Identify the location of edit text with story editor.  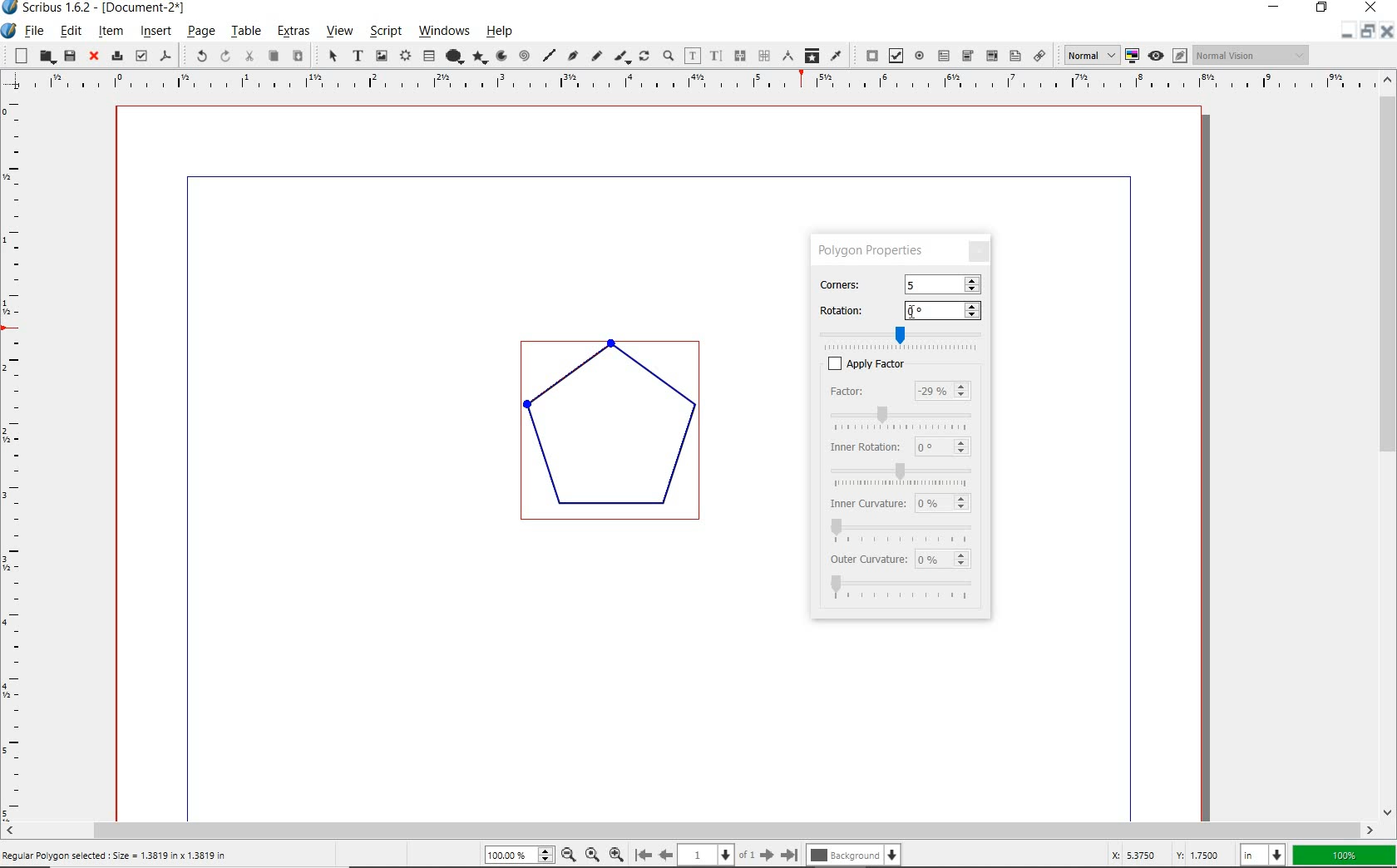
(717, 55).